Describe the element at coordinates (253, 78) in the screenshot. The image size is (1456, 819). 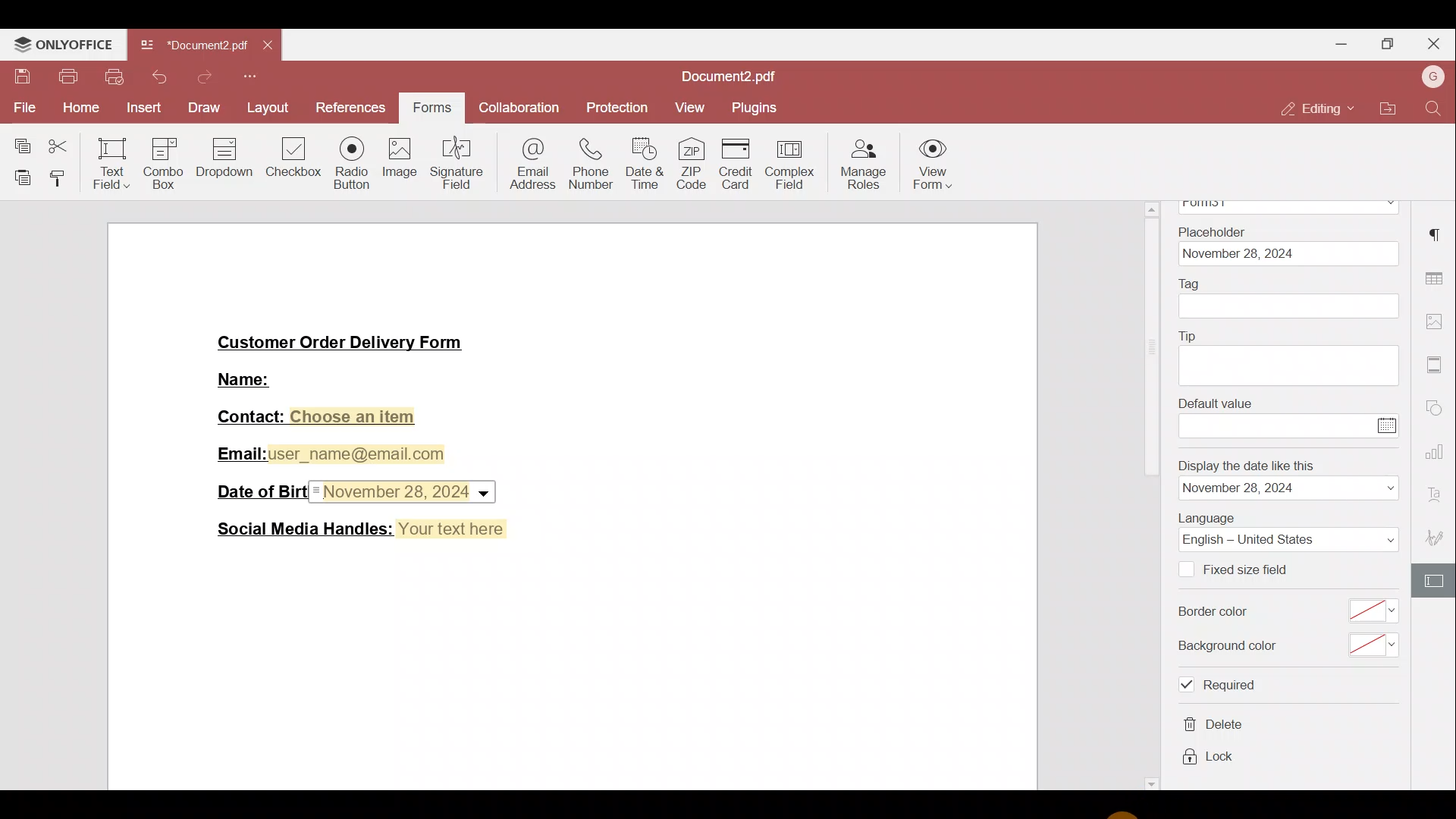
I see `More` at that location.